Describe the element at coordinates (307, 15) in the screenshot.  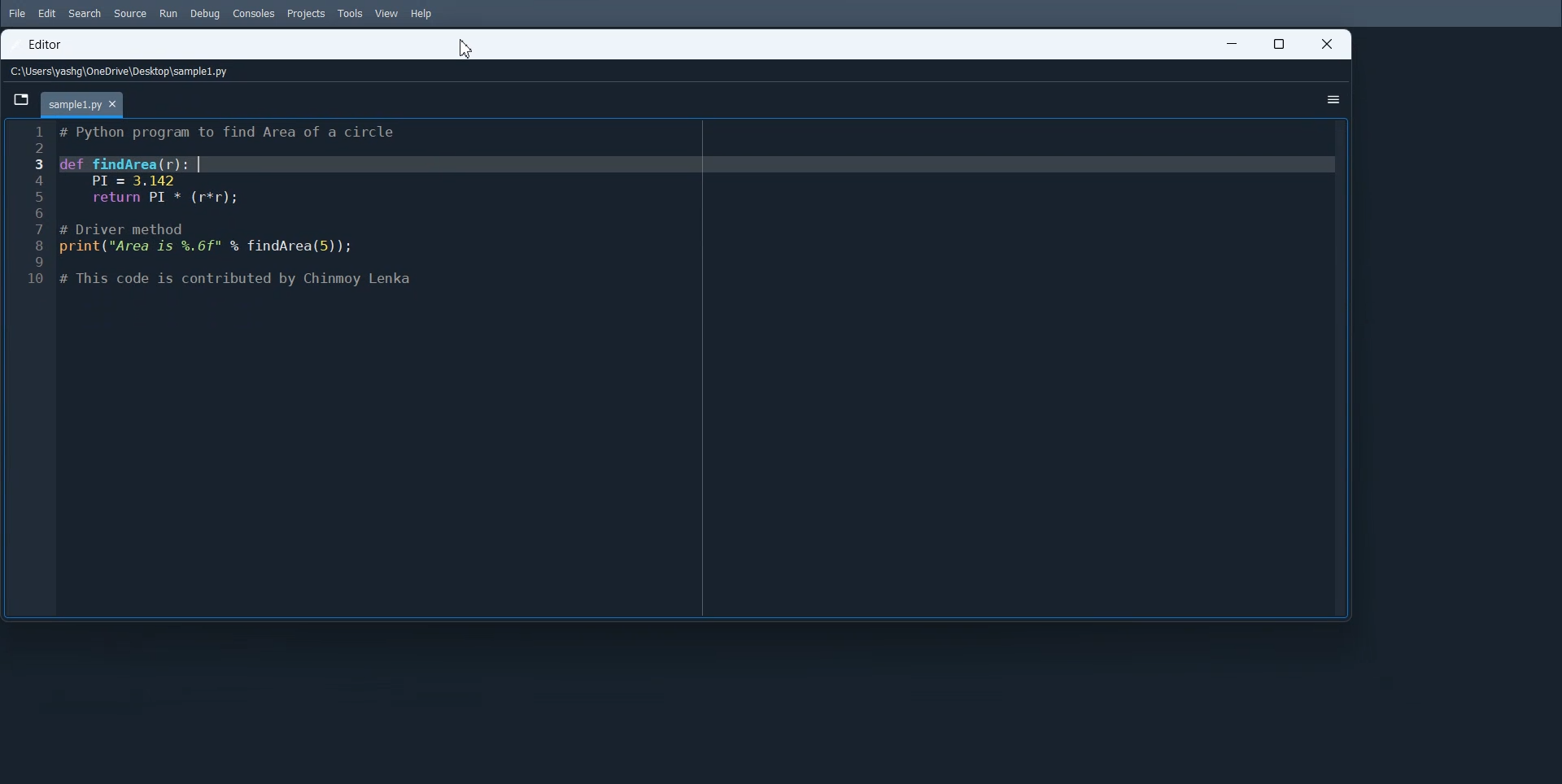
I see `Projects` at that location.